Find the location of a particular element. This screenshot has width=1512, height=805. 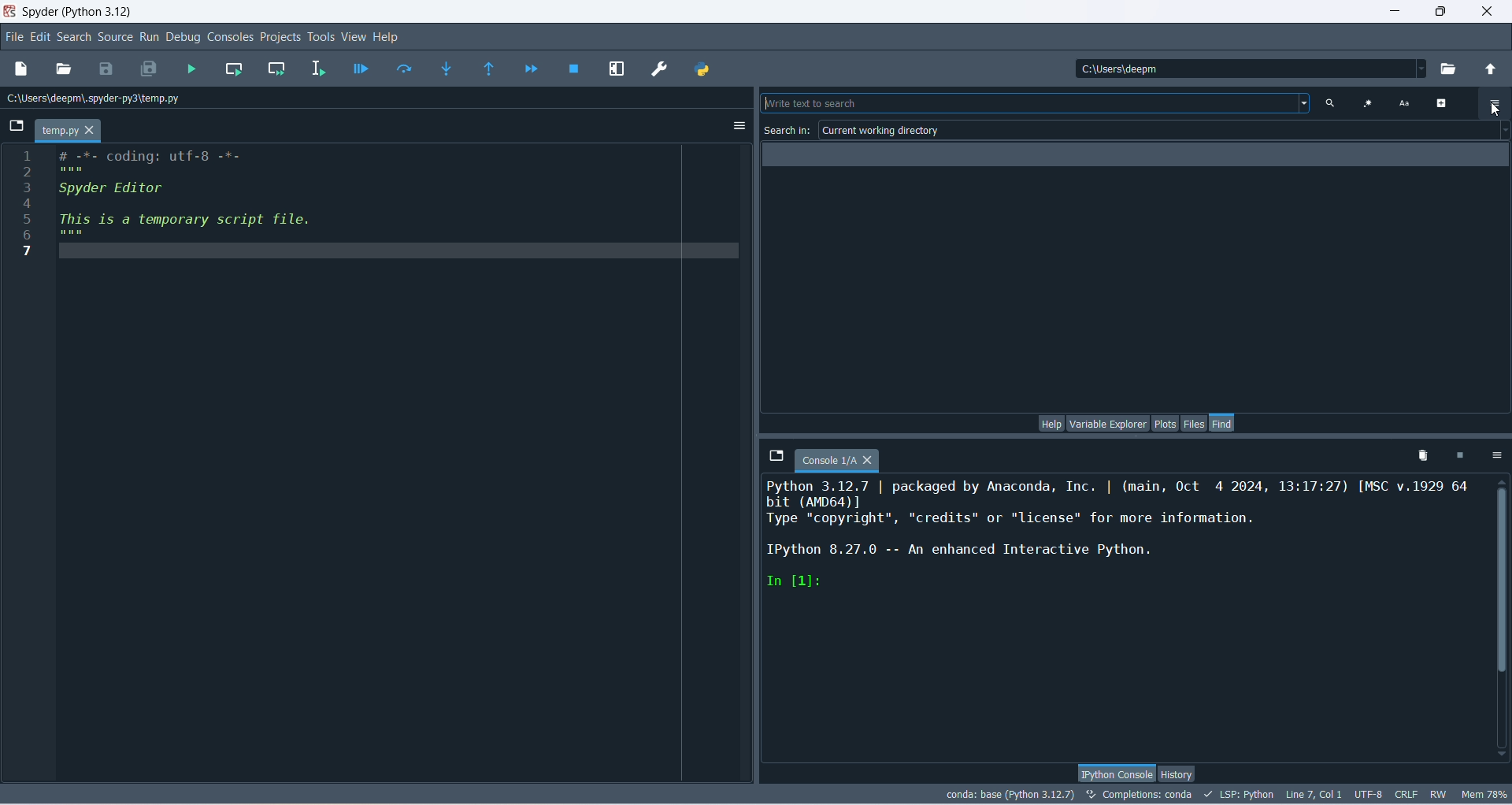

text search is located at coordinates (1325, 102).